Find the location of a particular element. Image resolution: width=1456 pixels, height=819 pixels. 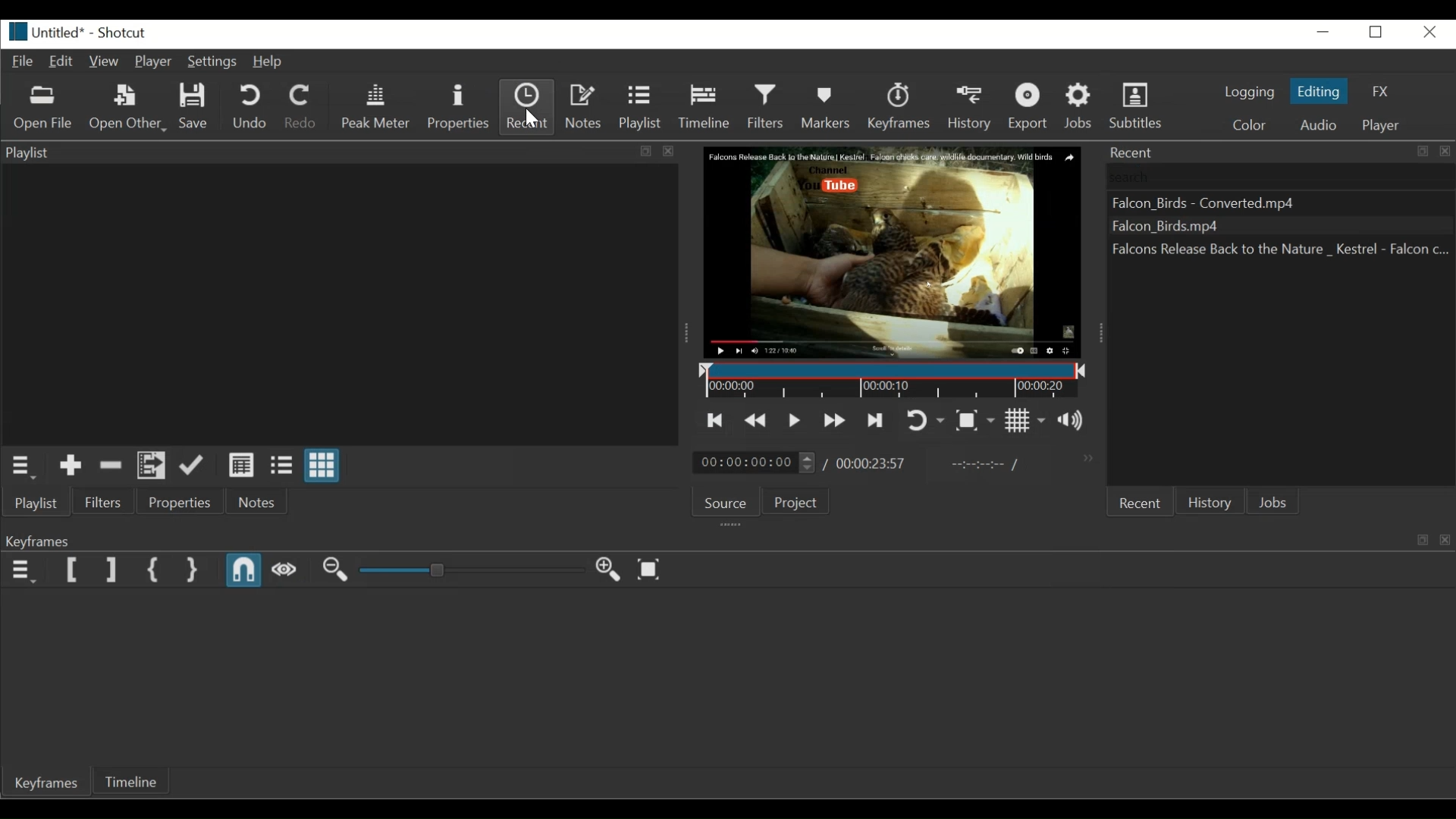

Open Other File is located at coordinates (43, 108).